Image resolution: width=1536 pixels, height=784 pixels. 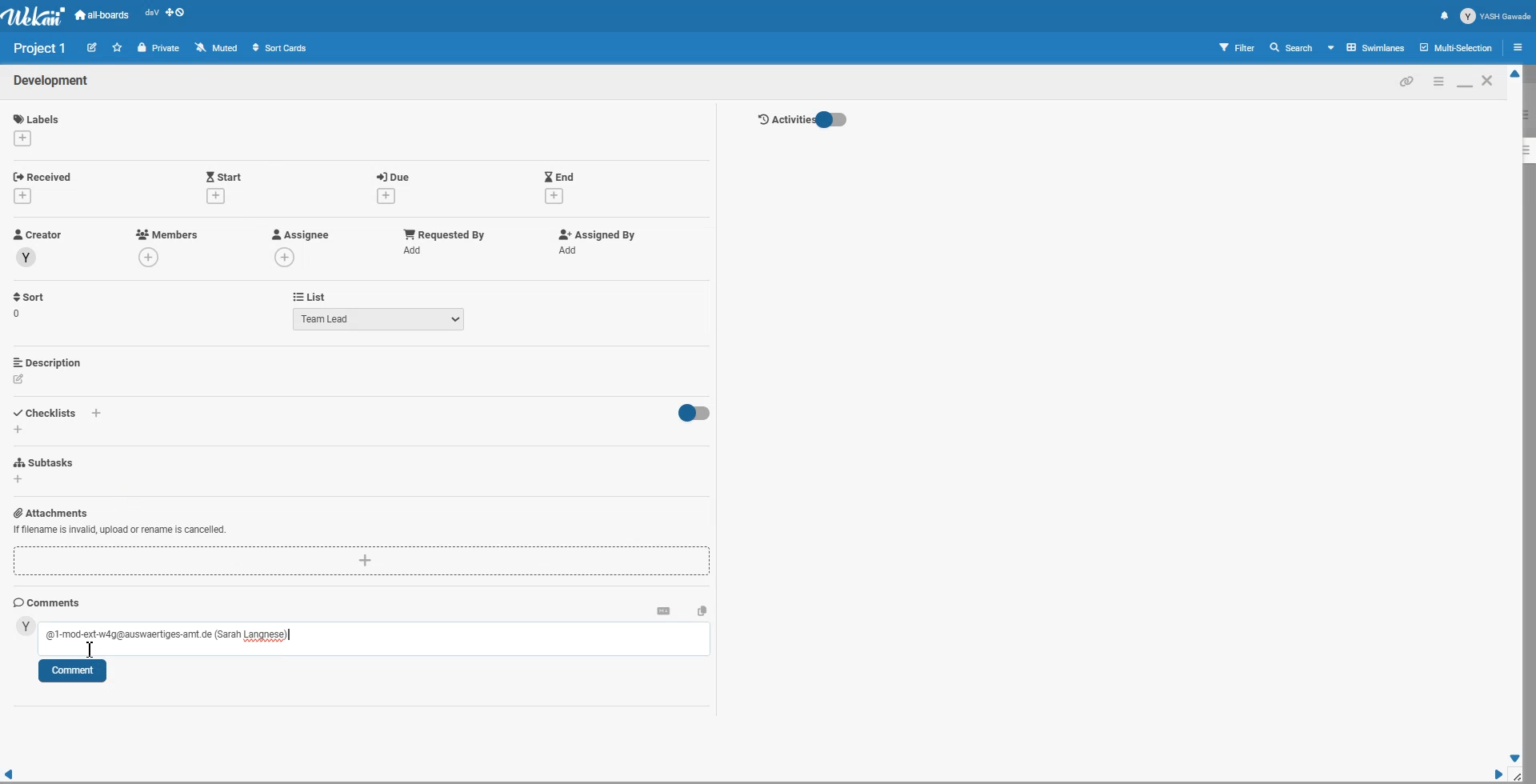 I want to click on Toggle, so click(x=692, y=414).